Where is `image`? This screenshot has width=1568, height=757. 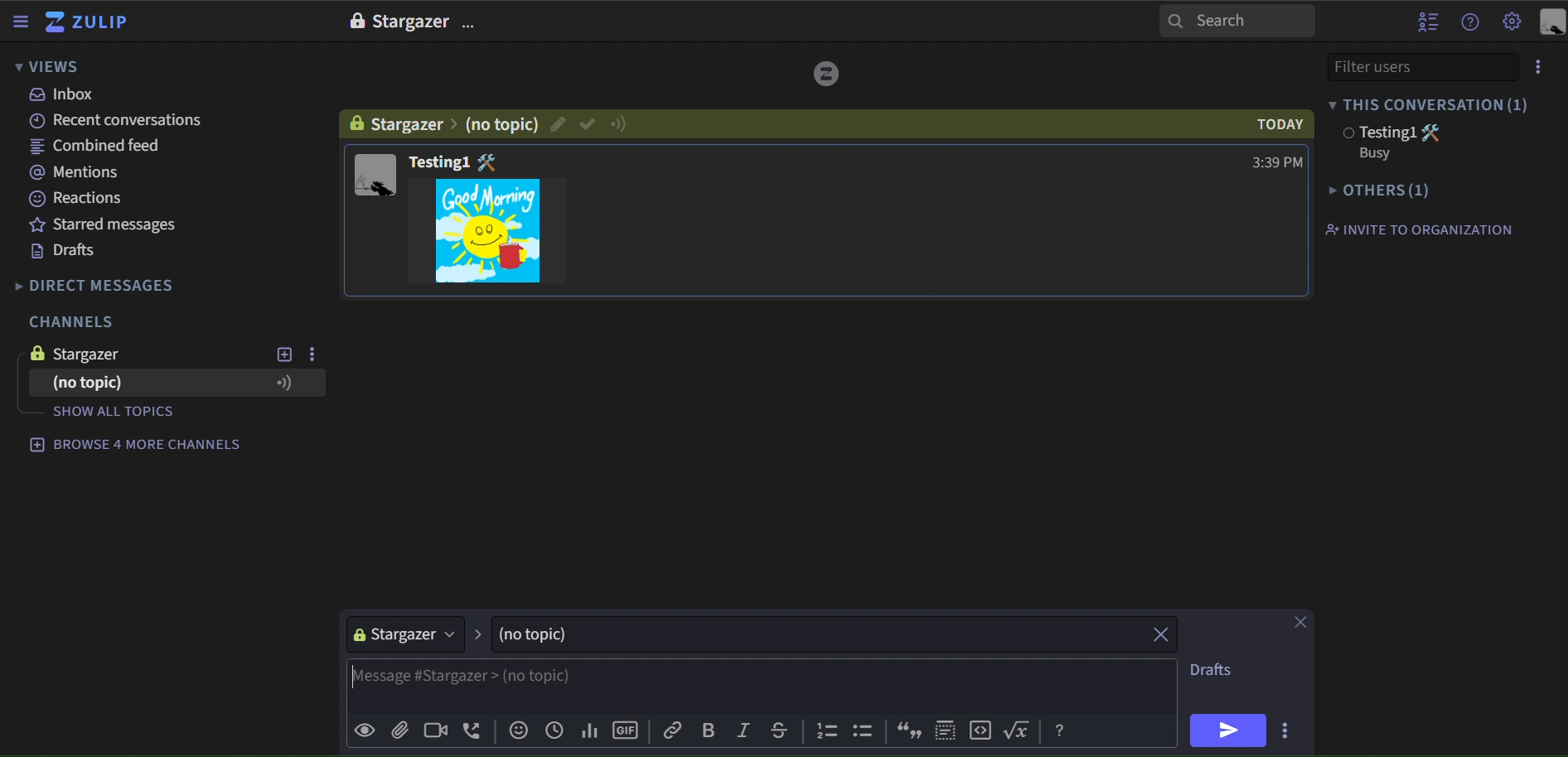
image is located at coordinates (372, 176).